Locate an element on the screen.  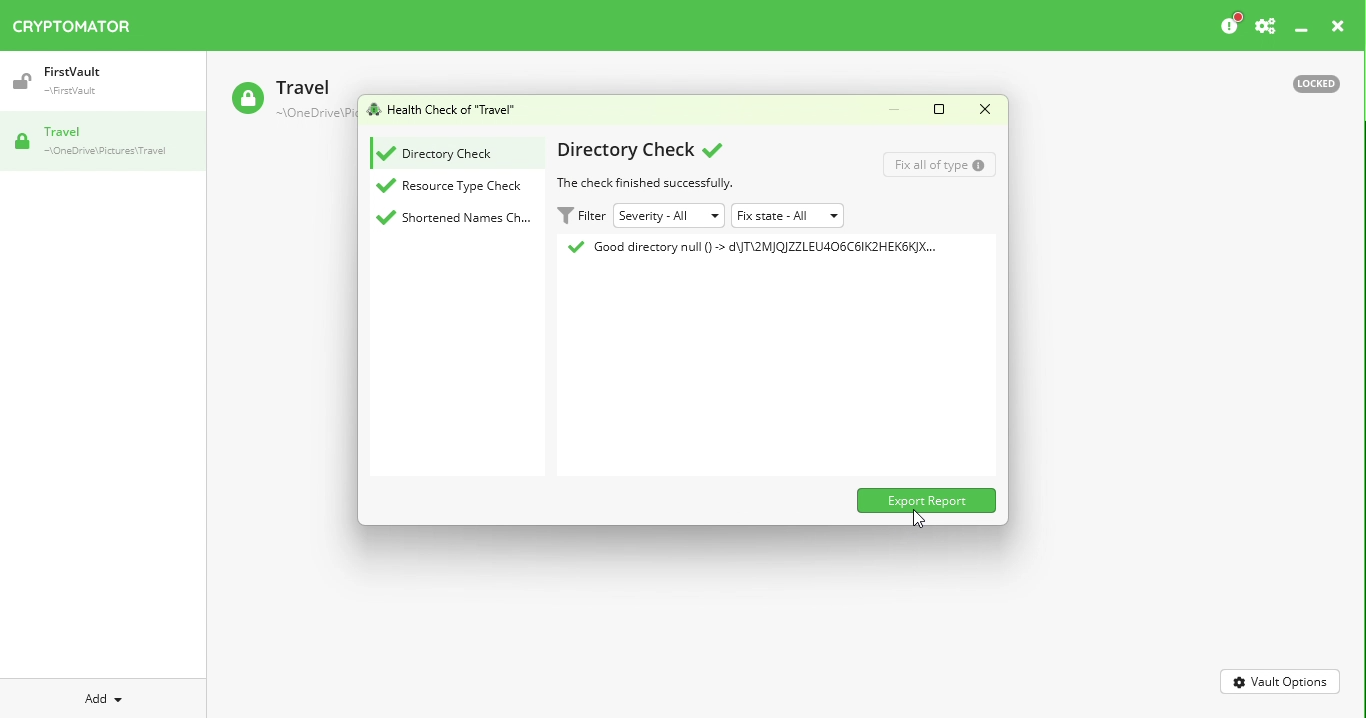
Directory check is located at coordinates (636, 149).